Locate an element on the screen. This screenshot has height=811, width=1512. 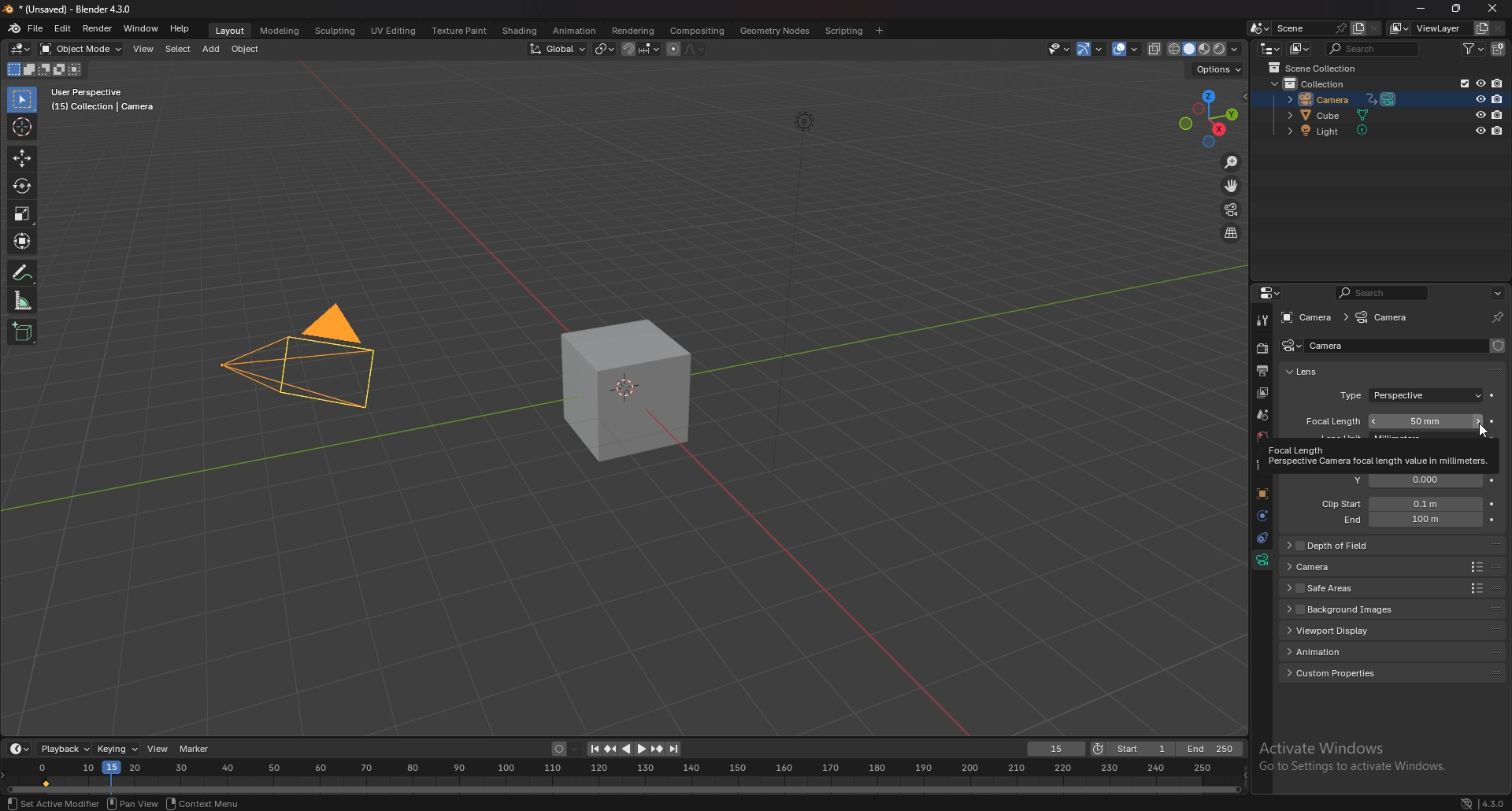
disable in renders is located at coordinates (1499, 83).